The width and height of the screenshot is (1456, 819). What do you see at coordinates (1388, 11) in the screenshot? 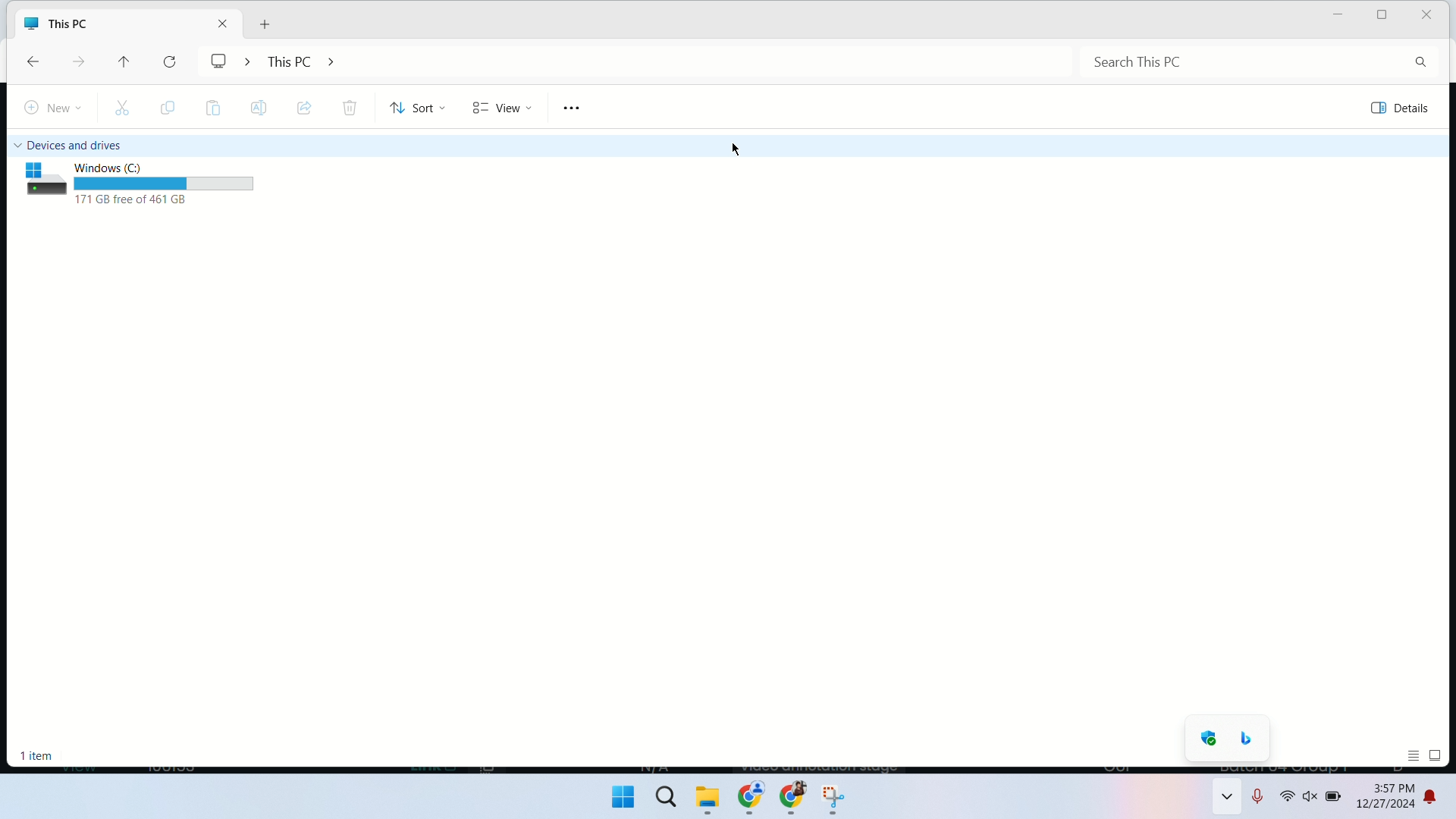
I see `maximize` at bounding box center [1388, 11].